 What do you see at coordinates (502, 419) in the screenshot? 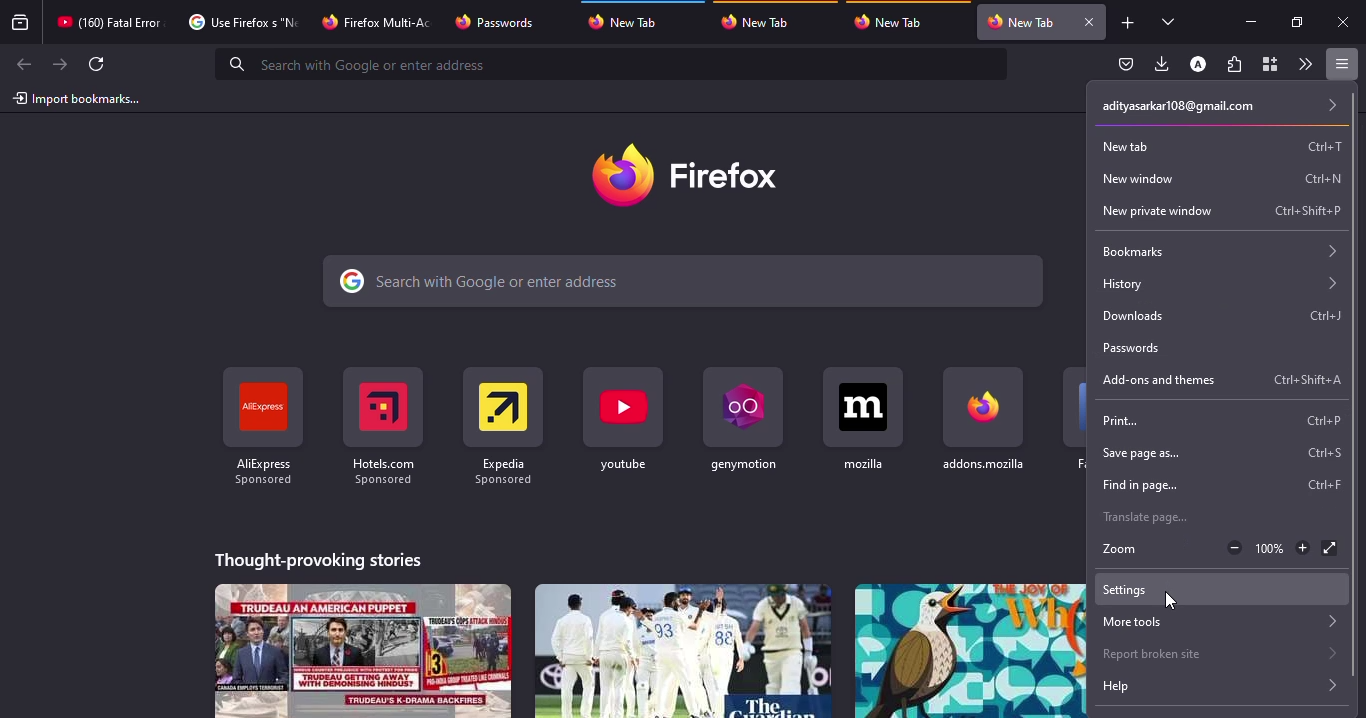
I see `shortcut` at bounding box center [502, 419].